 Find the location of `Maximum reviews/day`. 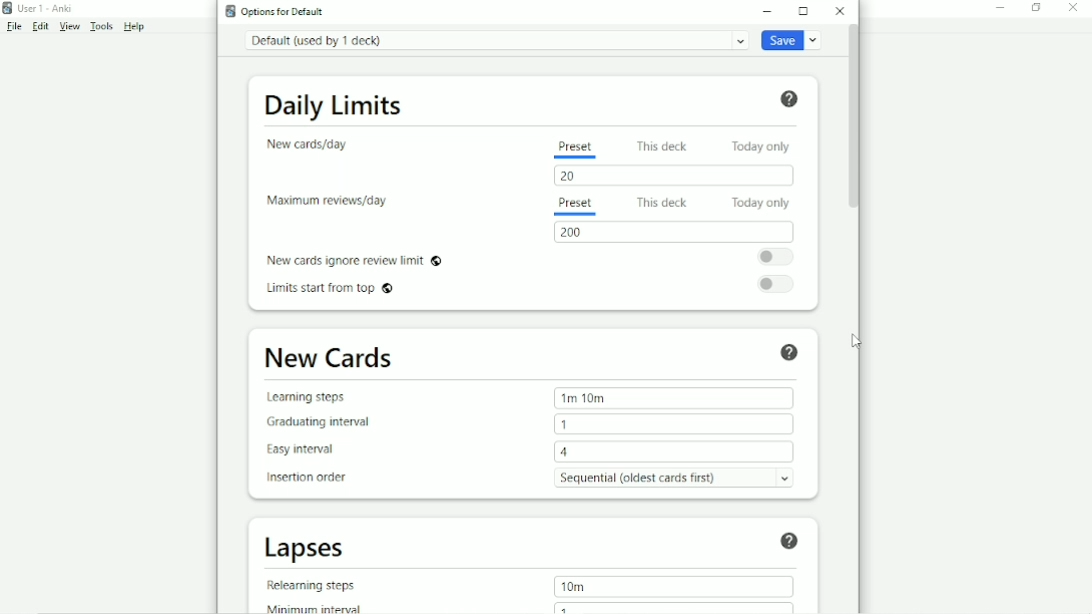

Maximum reviews/day is located at coordinates (327, 201).